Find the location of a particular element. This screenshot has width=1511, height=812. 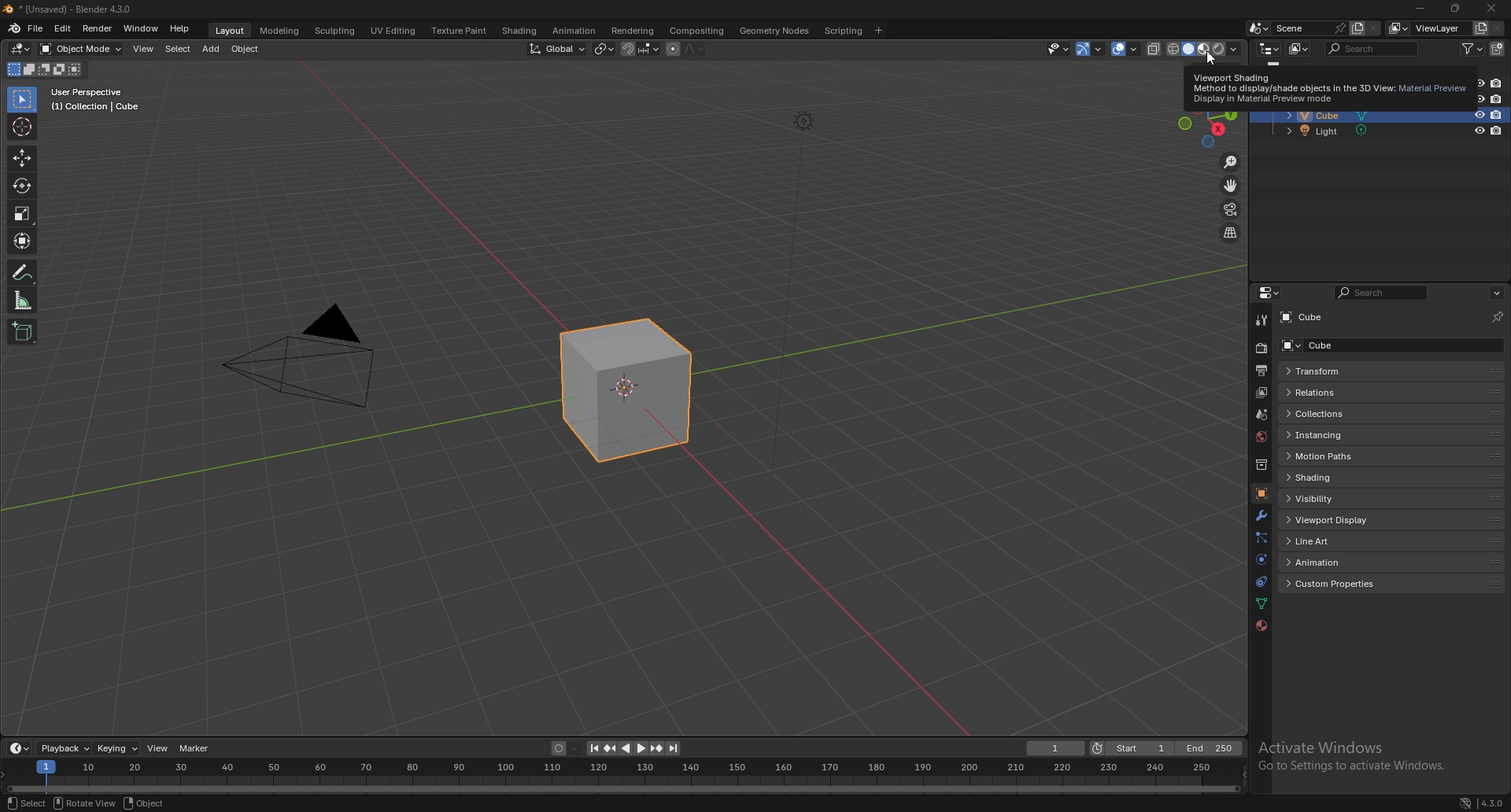

end is located at coordinates (1212, 748).